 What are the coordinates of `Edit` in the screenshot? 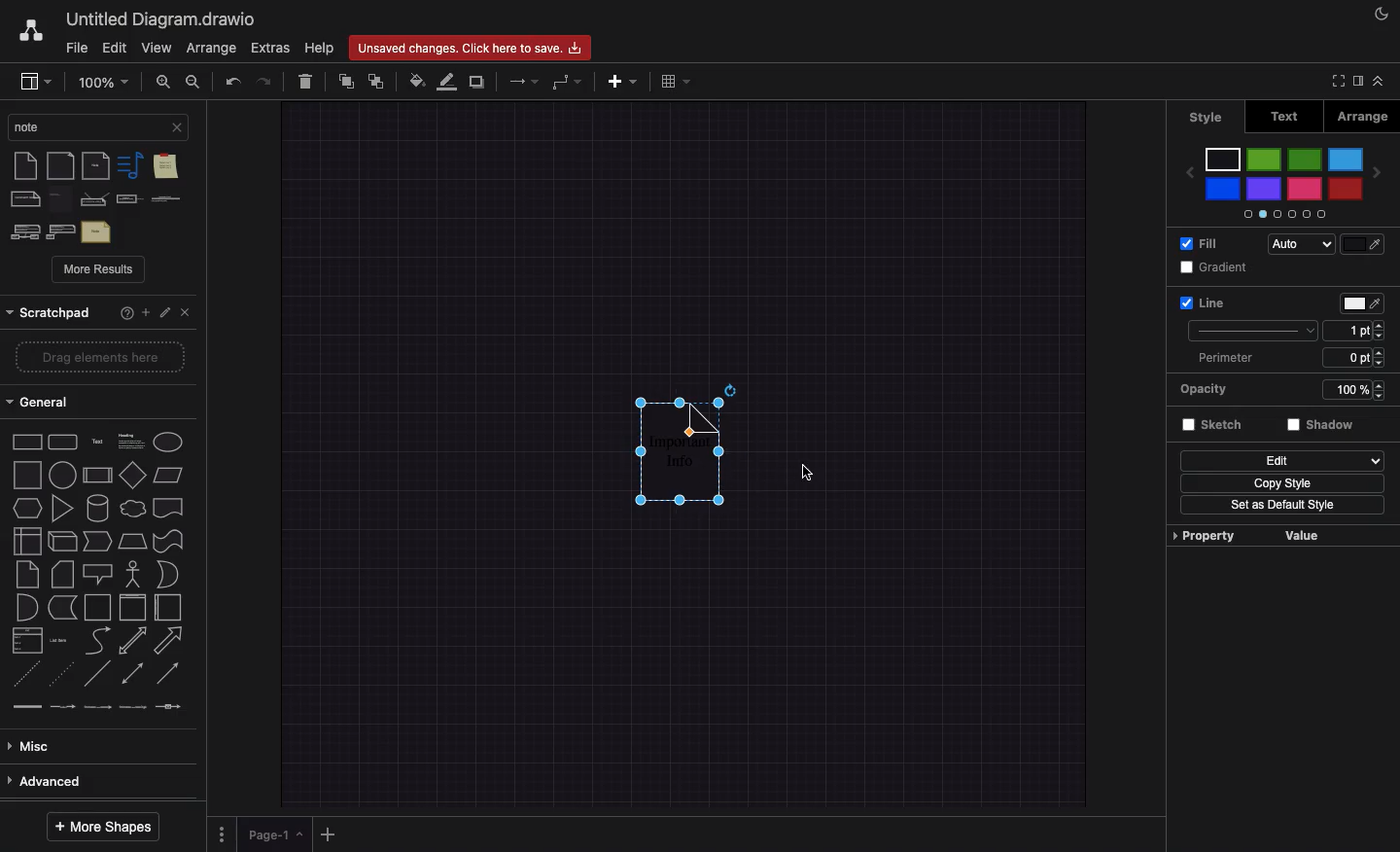 It's located at (117, 47).